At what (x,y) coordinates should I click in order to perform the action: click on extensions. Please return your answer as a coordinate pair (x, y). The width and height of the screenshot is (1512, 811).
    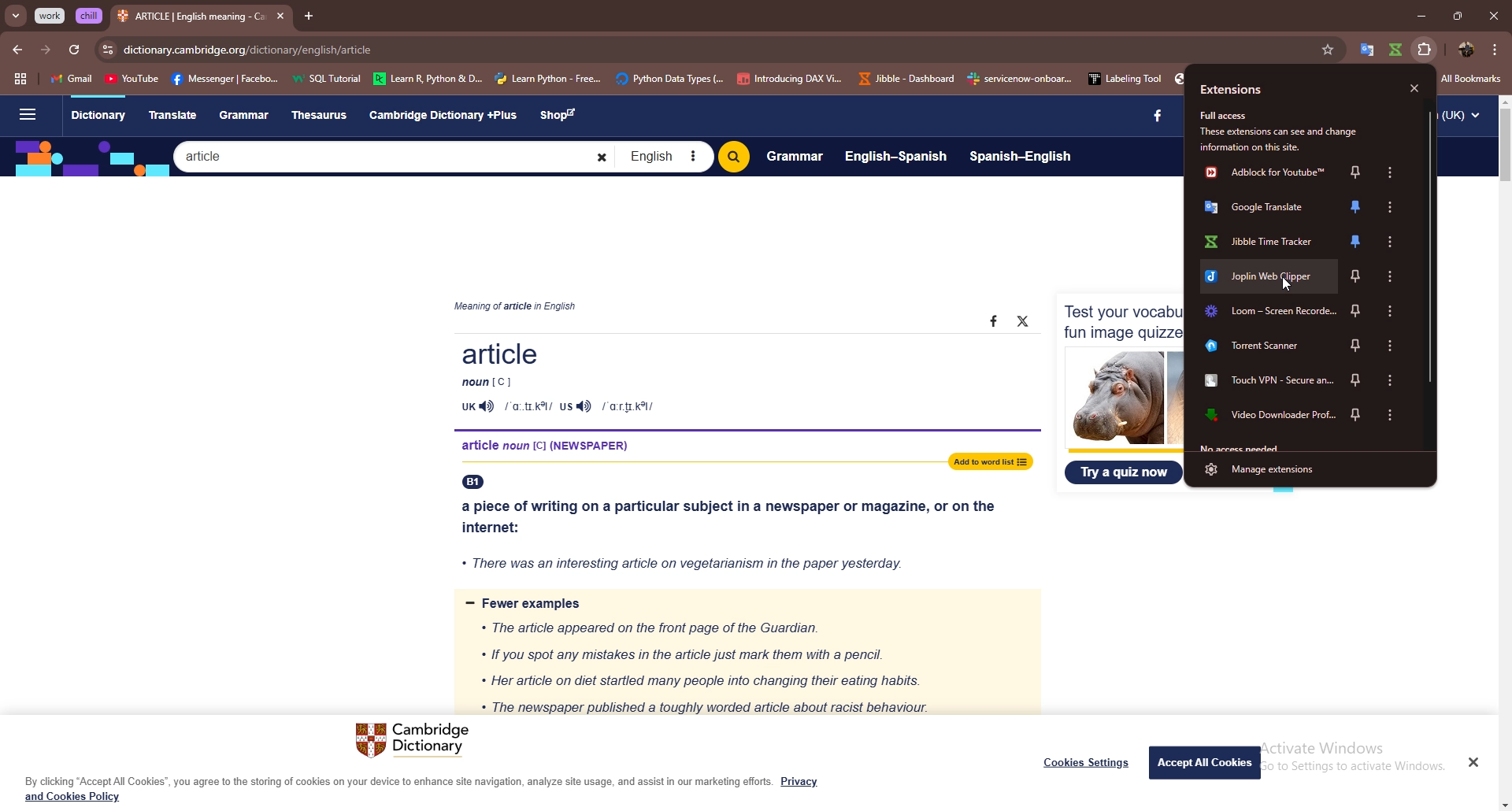
    Looking at the image, I should click on (1231, 91).